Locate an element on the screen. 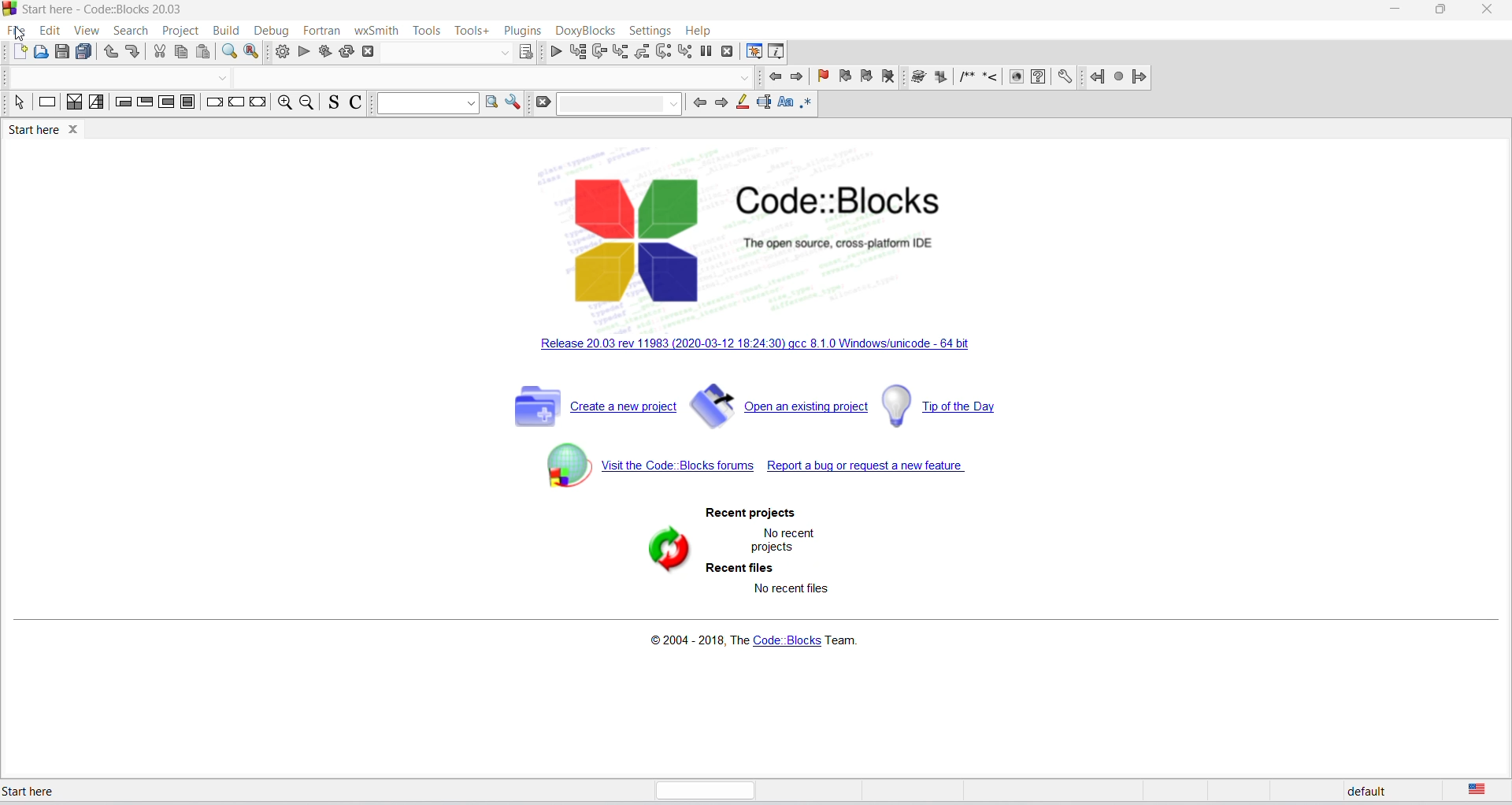  minimize is located at coordinates (1395, 12).